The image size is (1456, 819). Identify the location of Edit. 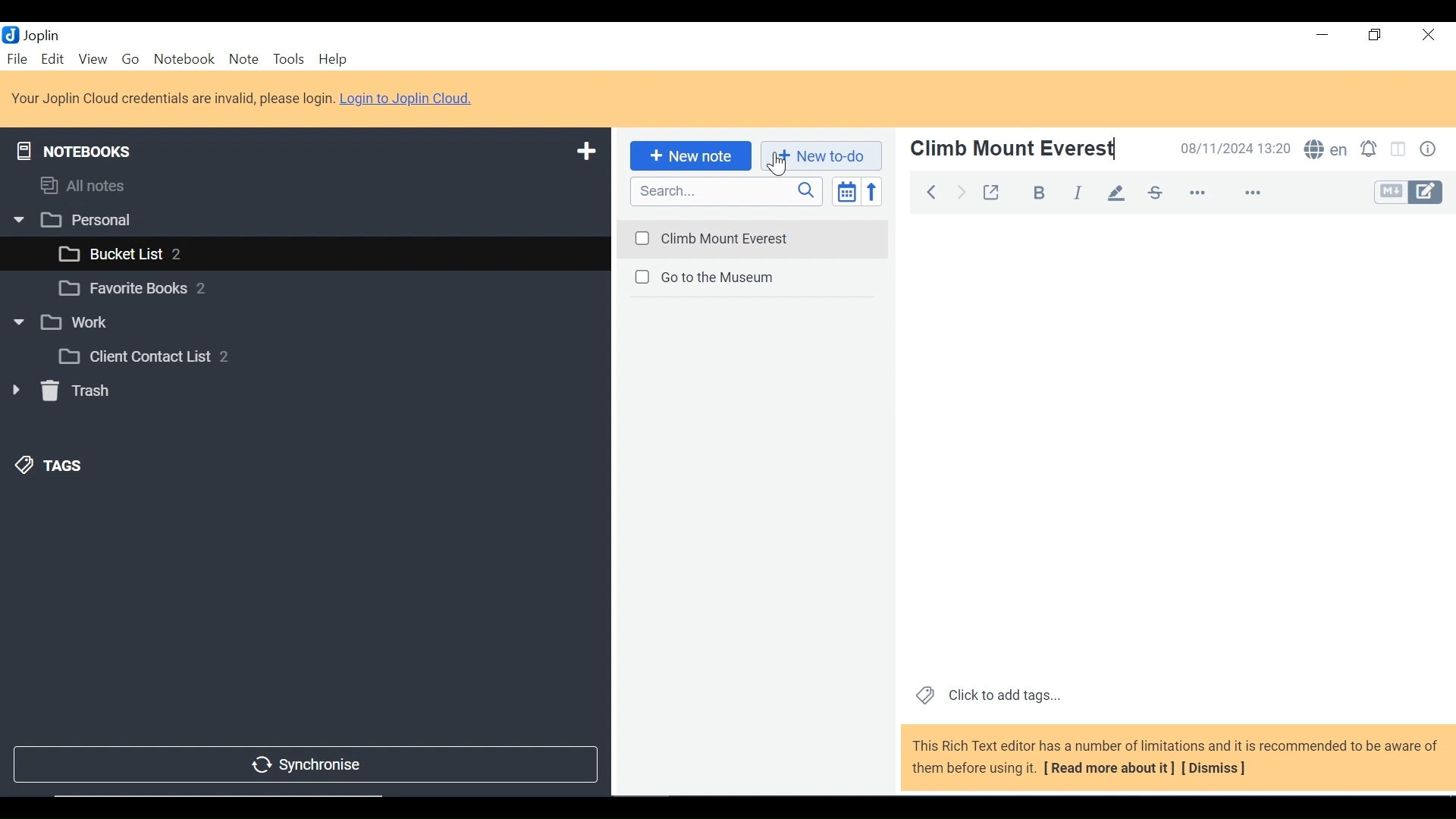
(53, 60).